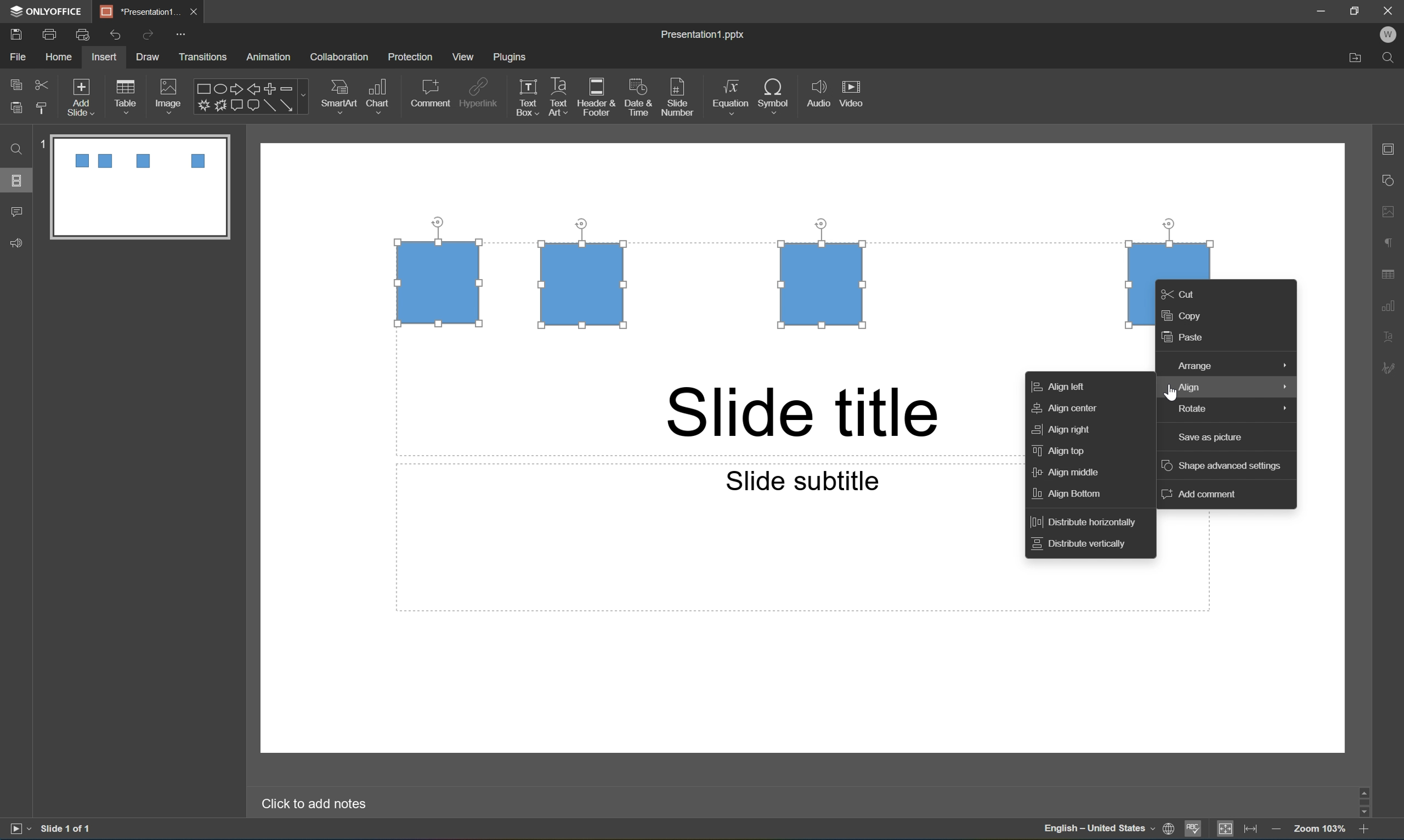  What do you see at coordinates (1393, 242) in the screenshot?
I see `paragraph settings` at bounding box center [1393, 242].